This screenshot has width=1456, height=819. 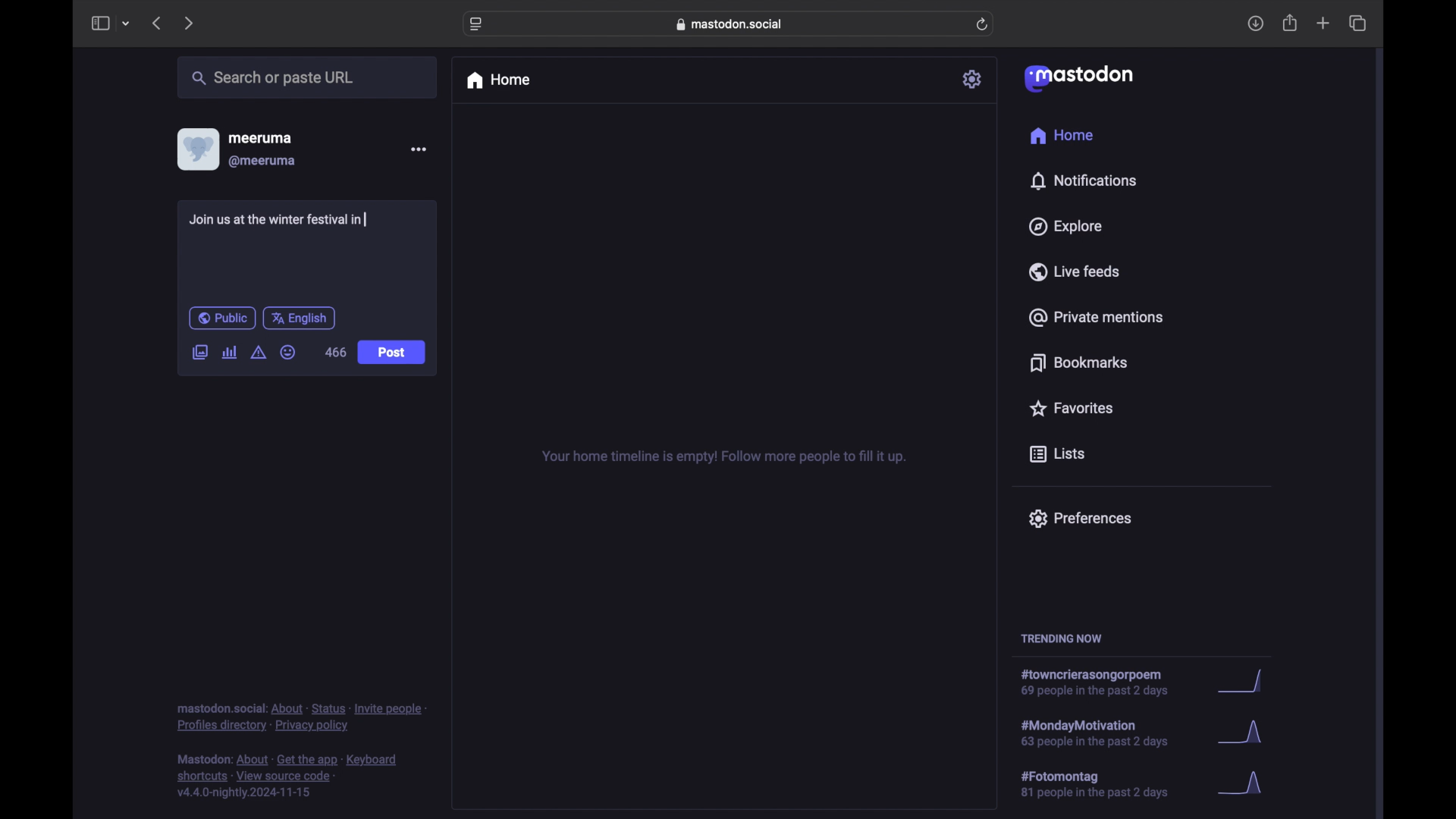 I want to click on hashtag trend, so click(x=1105, y=732).